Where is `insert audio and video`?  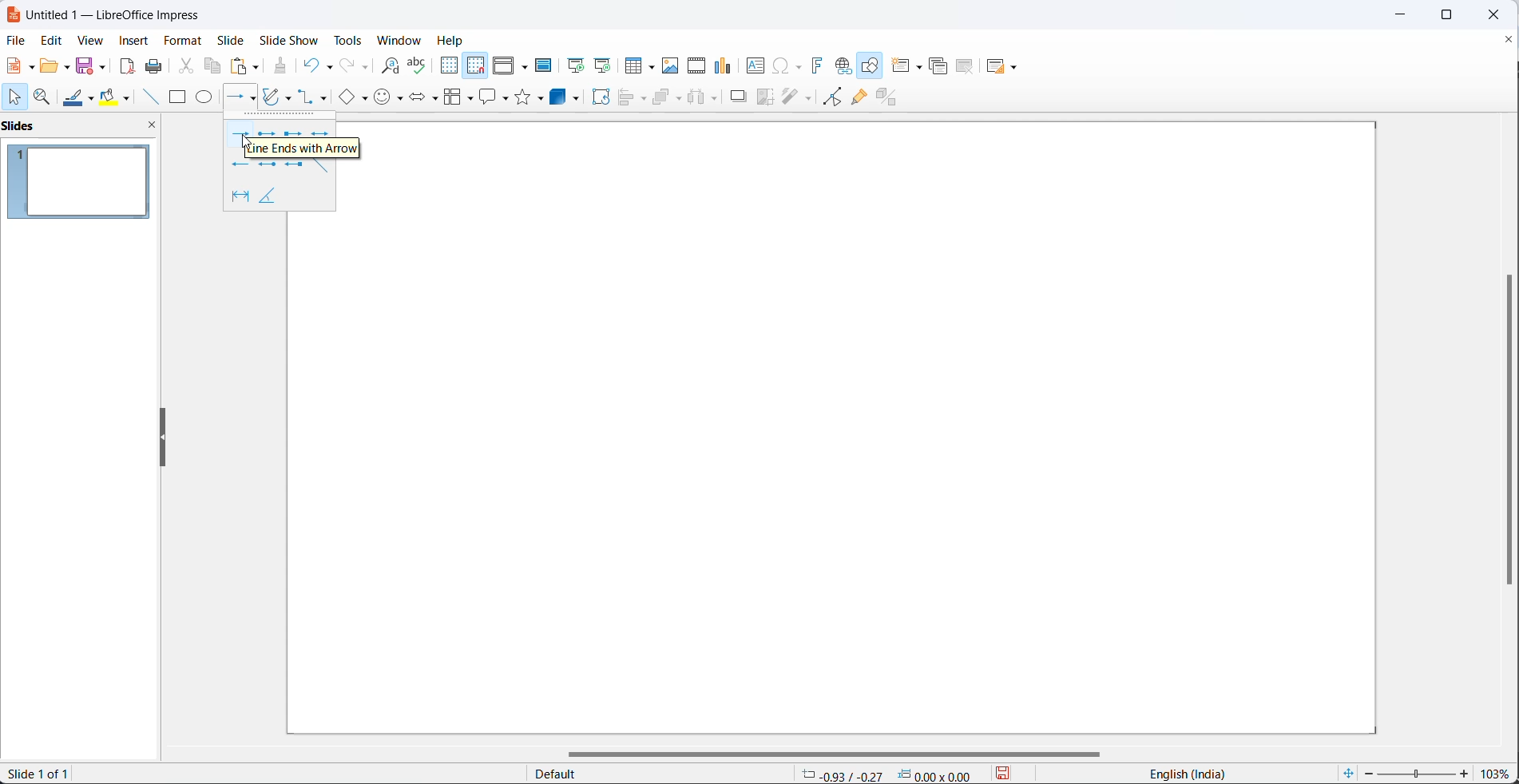
insert audio and video is located at coordinates (696, 66).